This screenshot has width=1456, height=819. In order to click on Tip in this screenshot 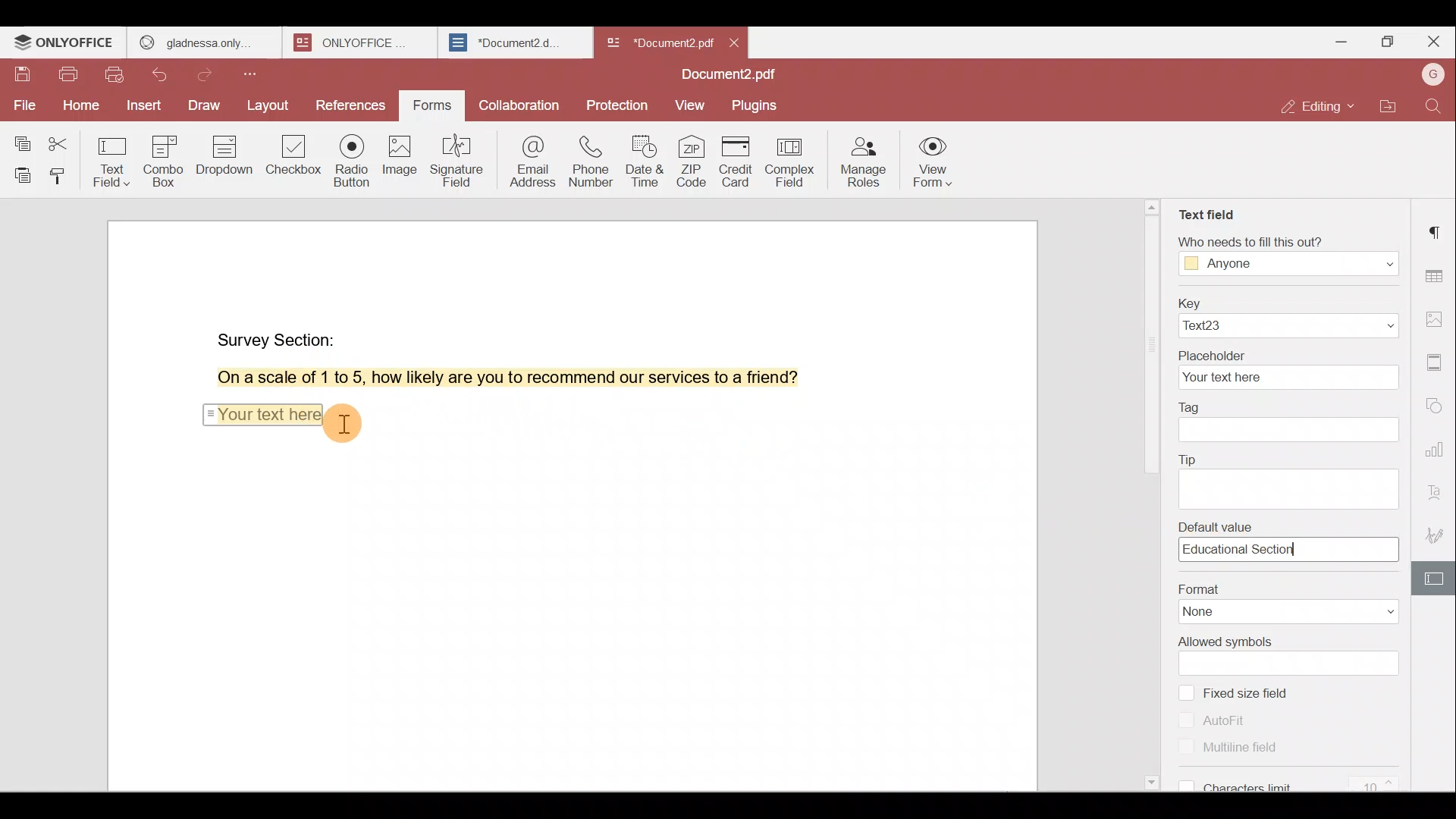, I will do `click(1293, 477)`.